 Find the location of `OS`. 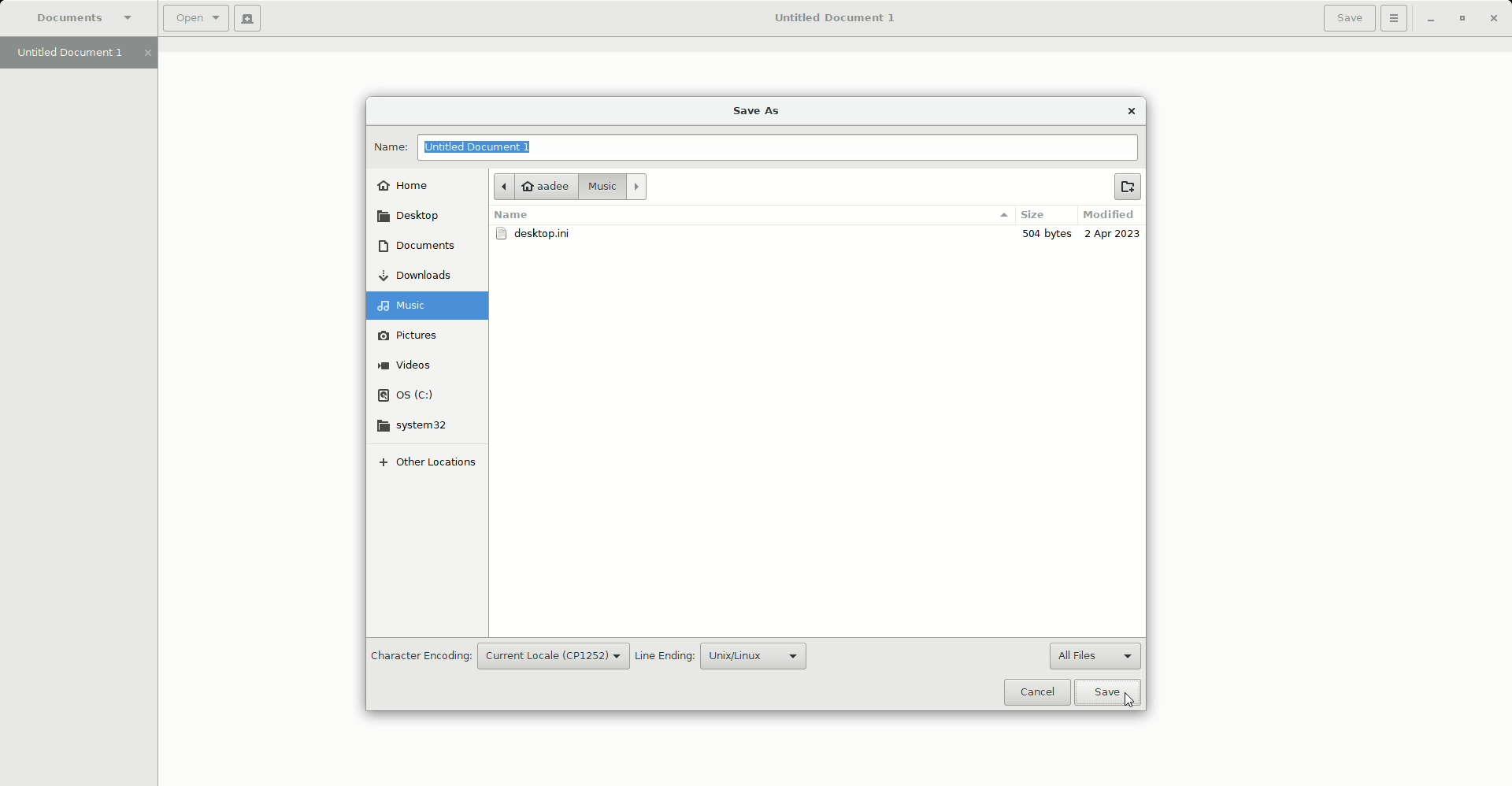

OS is located at coordinates (421, 395).